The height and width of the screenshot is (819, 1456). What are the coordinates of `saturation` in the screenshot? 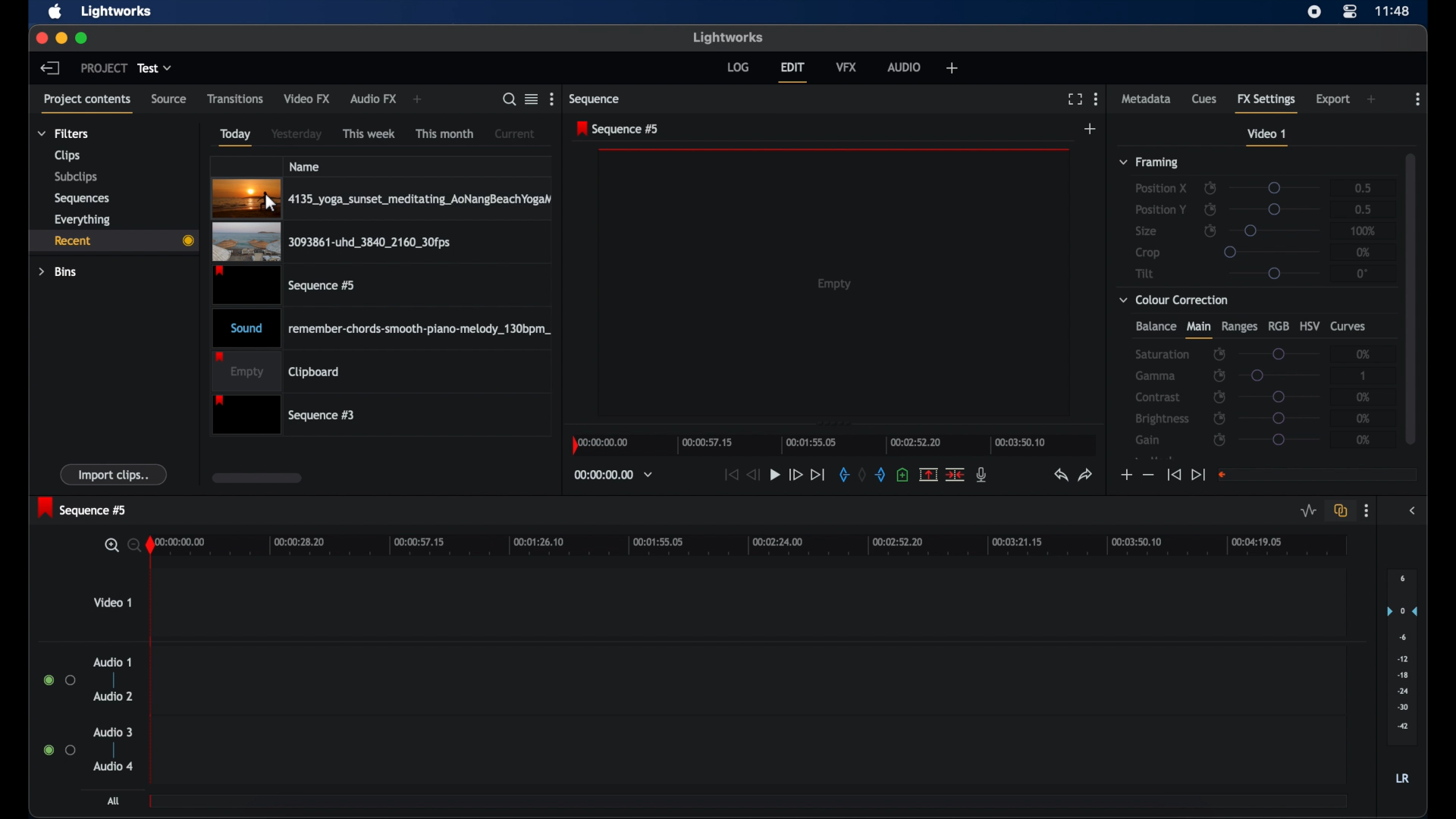 It's located at (1163, 353).